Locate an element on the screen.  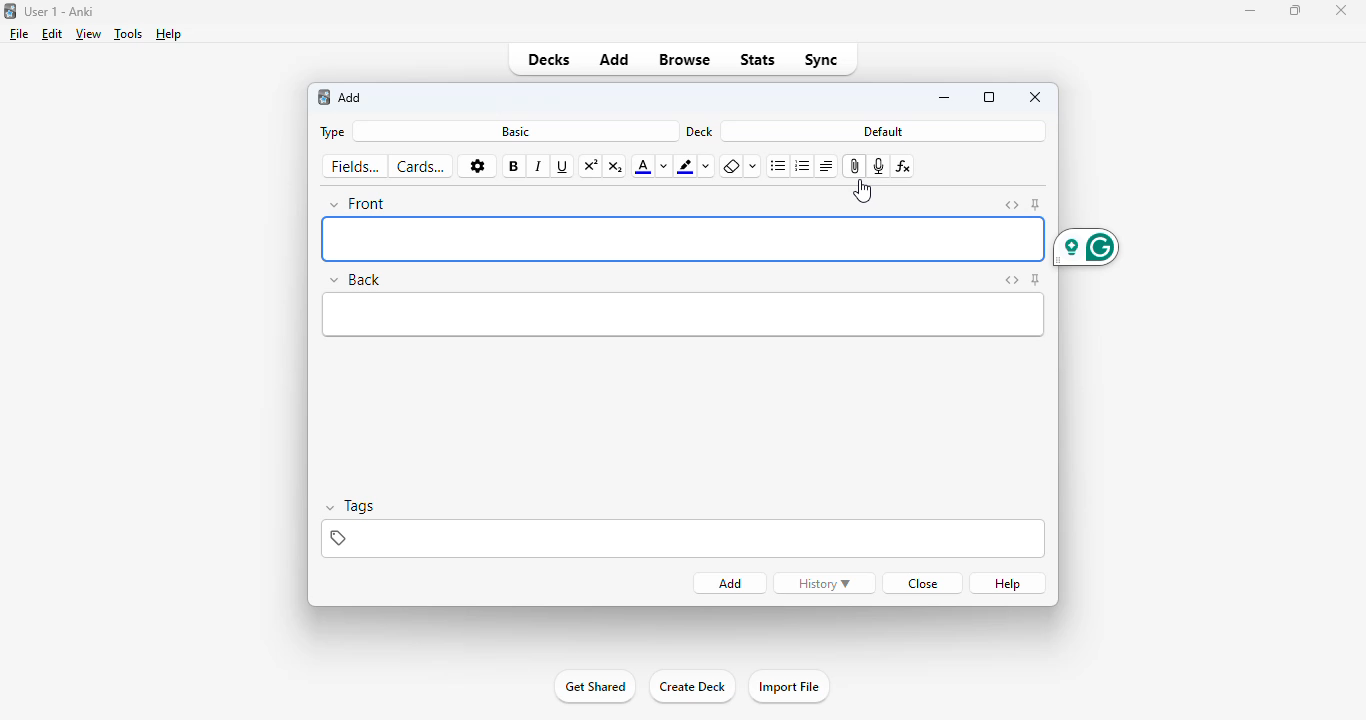
basic is located at coordinates (517, 132).